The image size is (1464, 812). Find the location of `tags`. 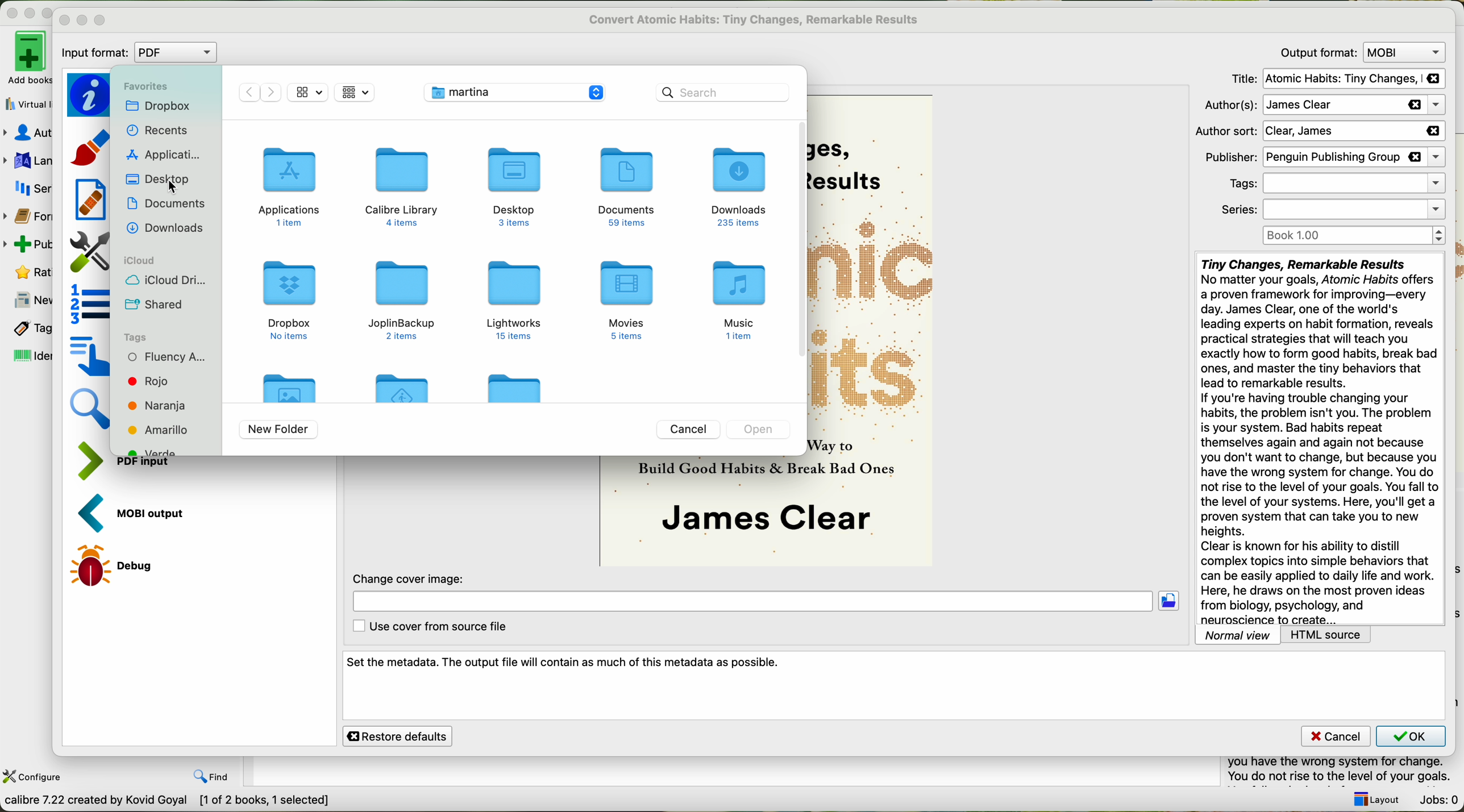

tags is located at coordinates (29, 328).